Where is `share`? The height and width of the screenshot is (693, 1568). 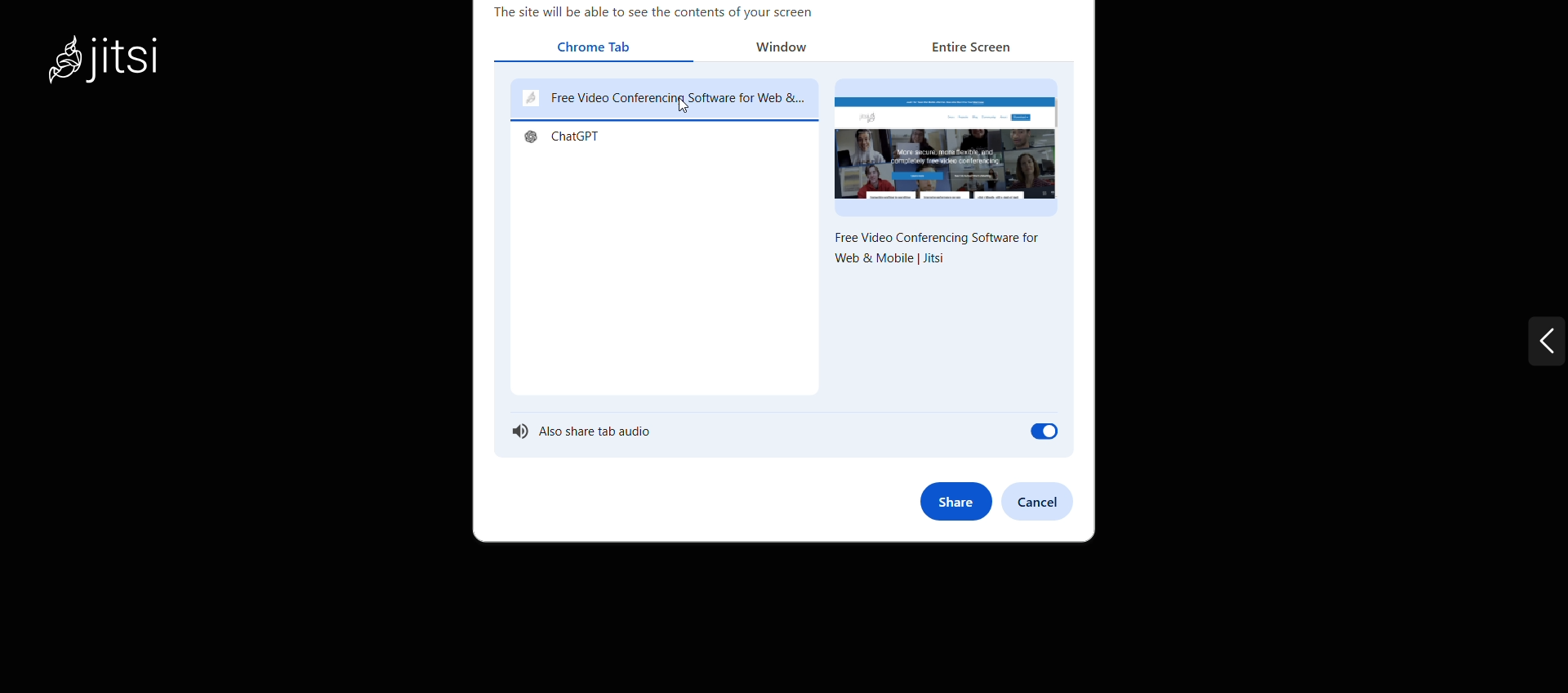
share is located at coordinates (955, 501).